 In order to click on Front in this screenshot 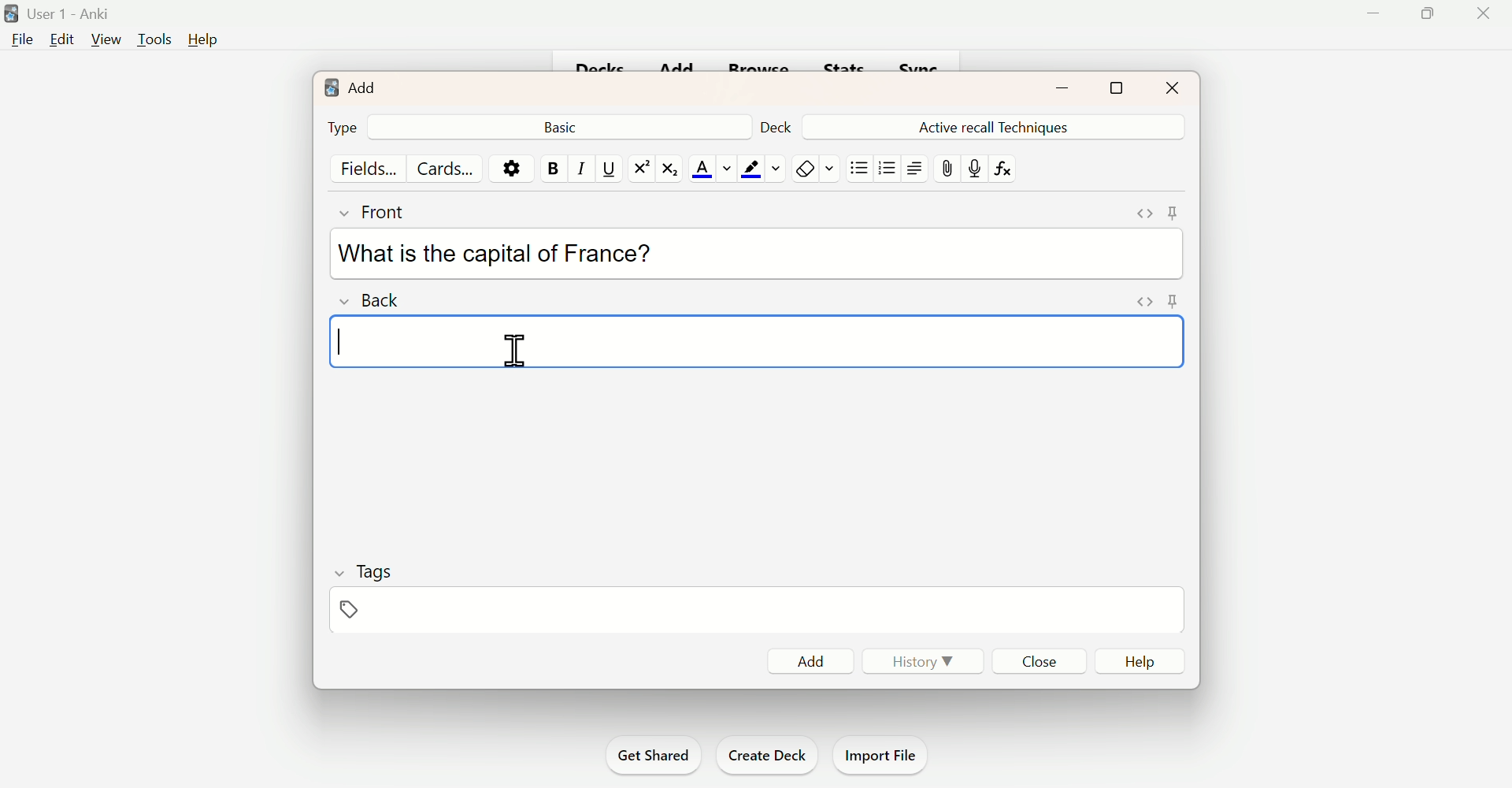, I will do `click(395, 210)`.